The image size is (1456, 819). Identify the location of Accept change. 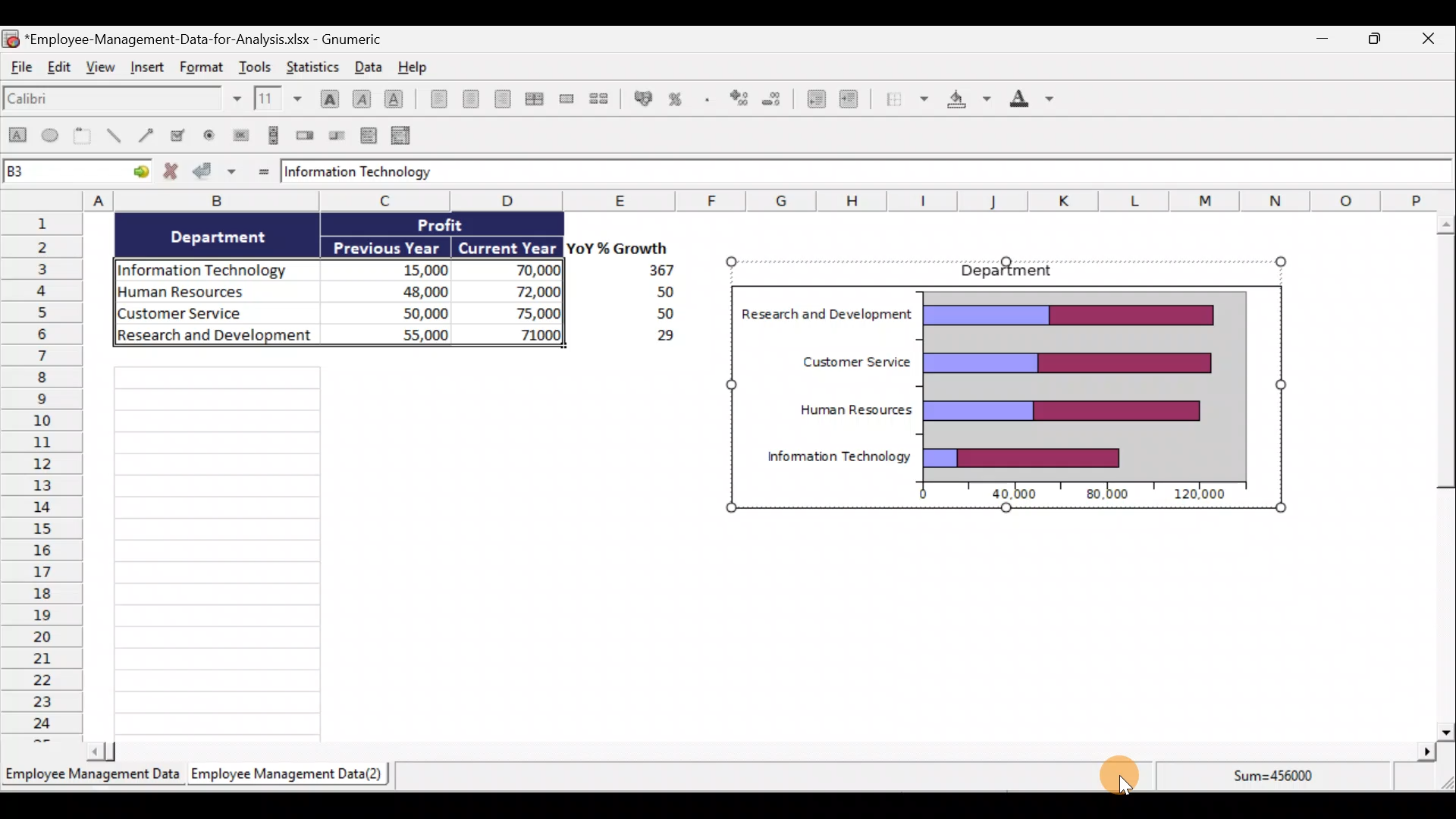
(217, 173).